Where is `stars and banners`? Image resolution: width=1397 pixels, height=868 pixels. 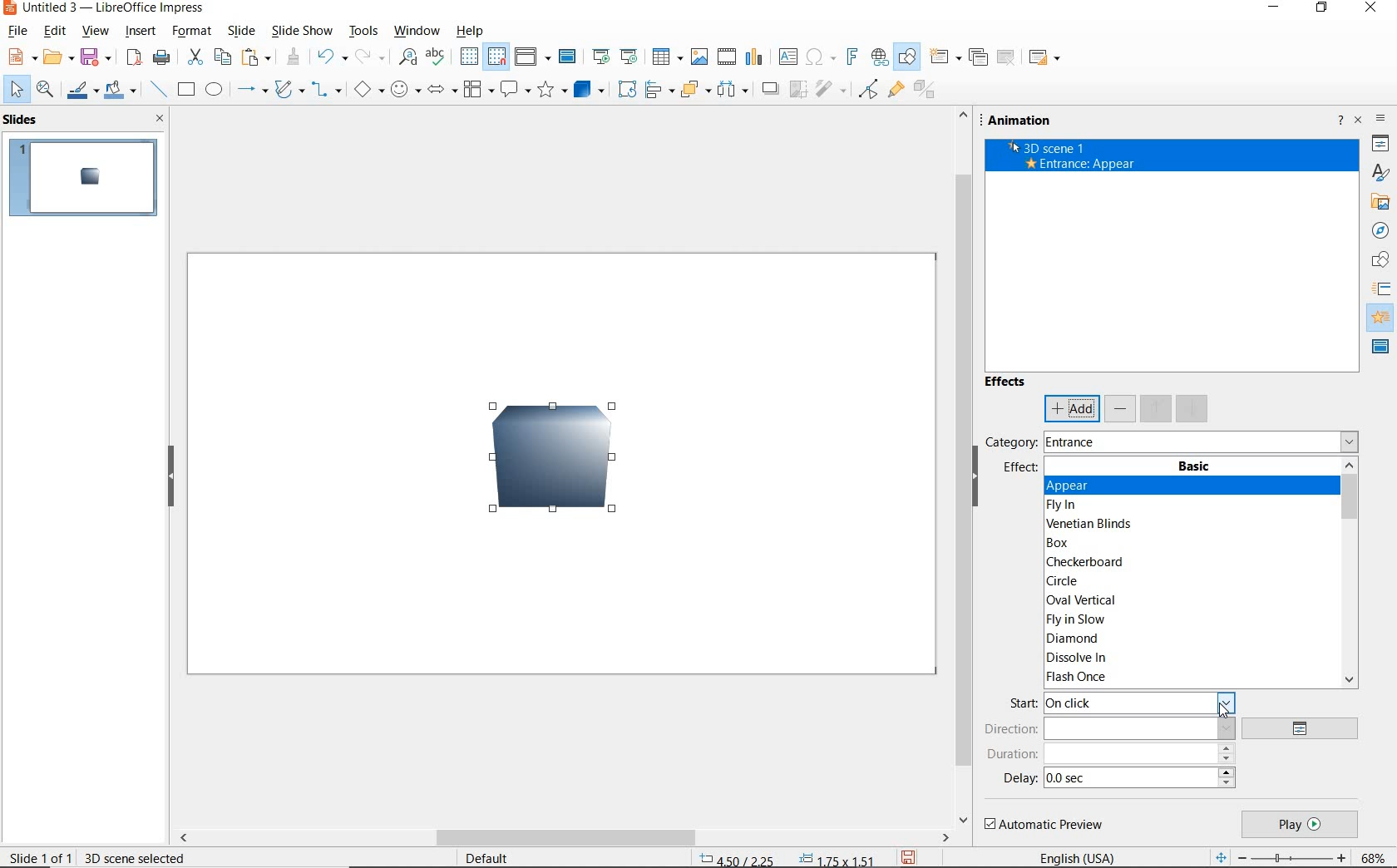 stars and banners is located at coordinates (553, 91).